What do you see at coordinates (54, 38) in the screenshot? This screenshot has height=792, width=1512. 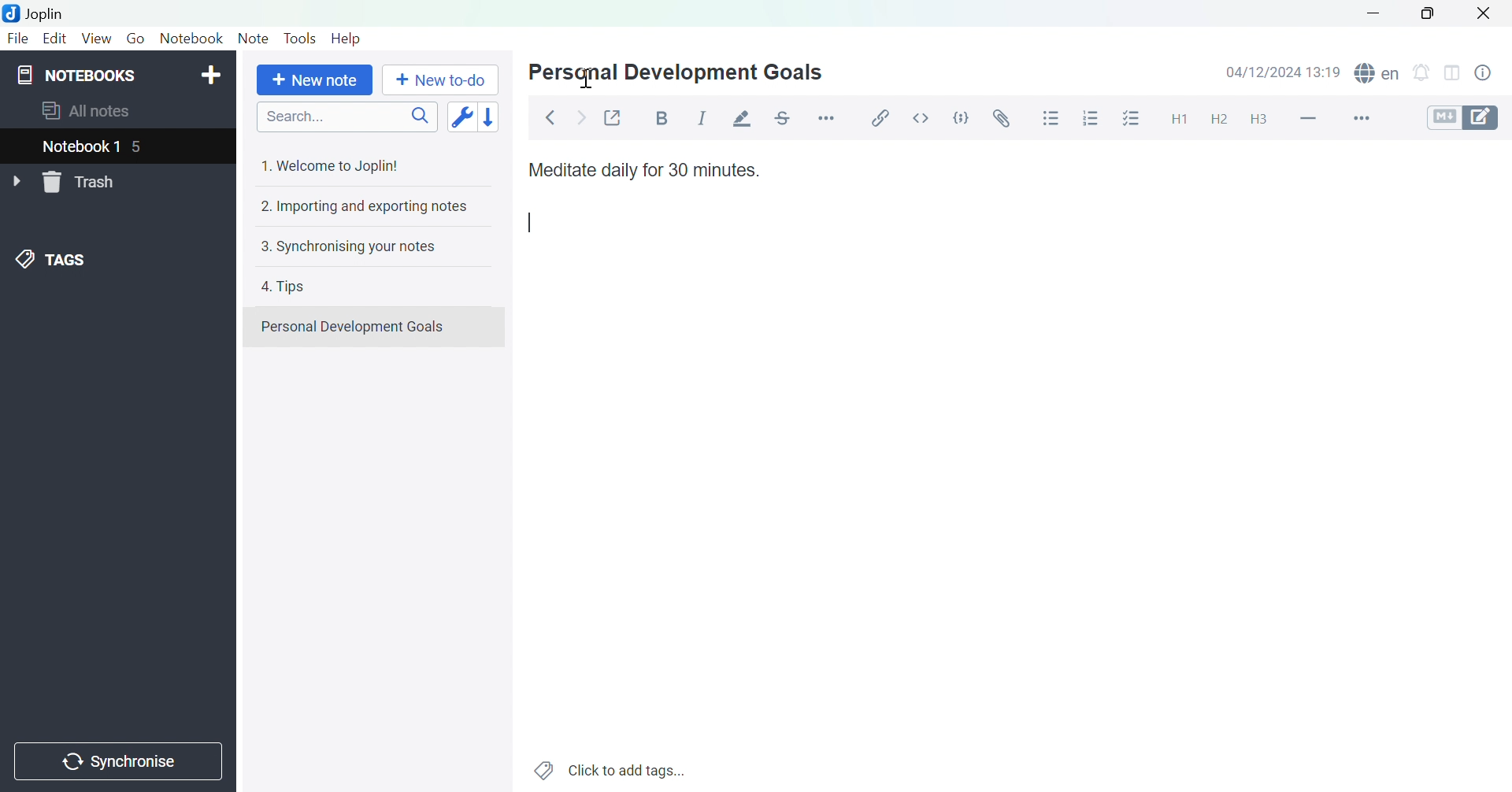 I see `Edit` at bounding box center [54, 38].